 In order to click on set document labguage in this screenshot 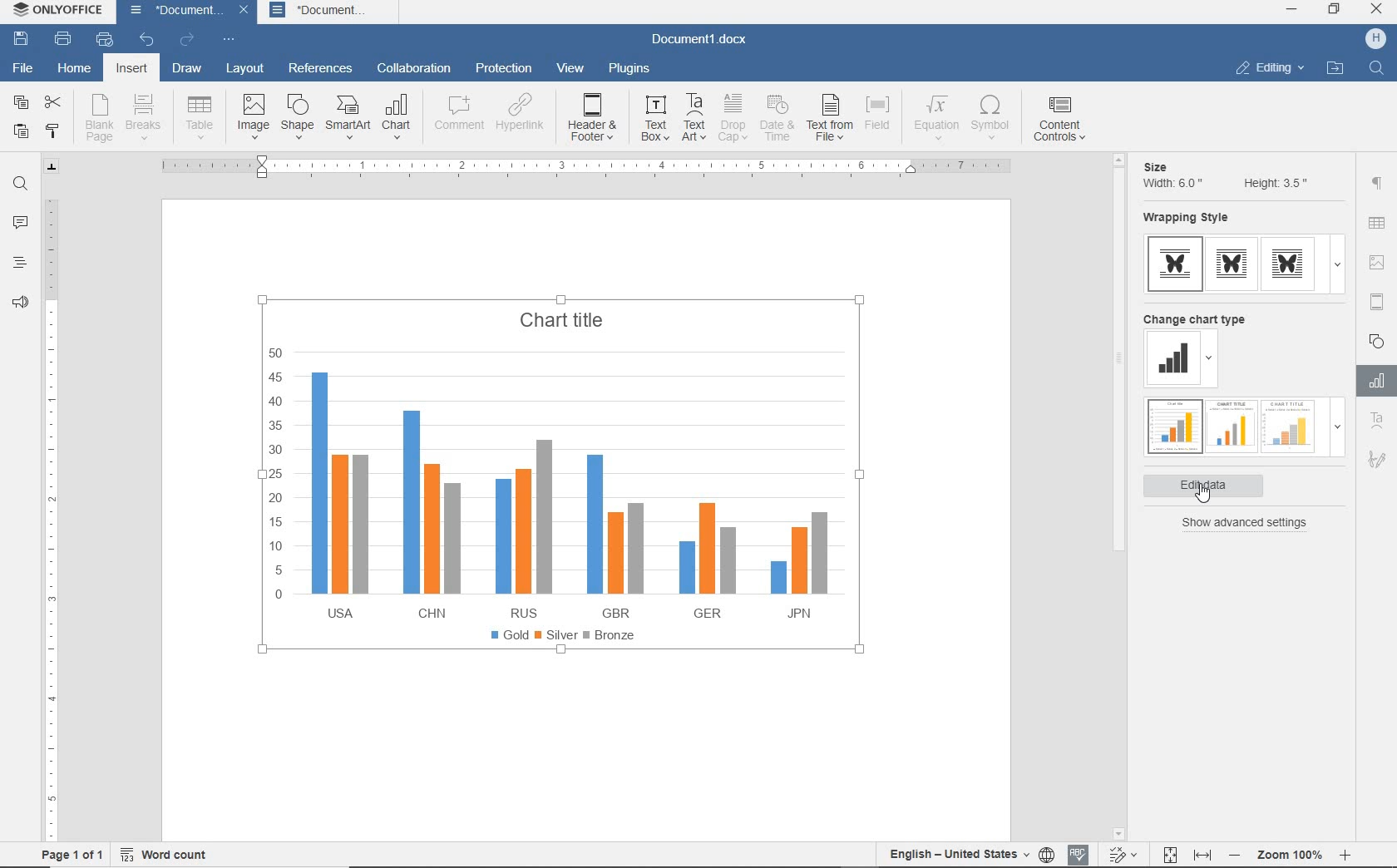, I will do `click(1048, 855)`.